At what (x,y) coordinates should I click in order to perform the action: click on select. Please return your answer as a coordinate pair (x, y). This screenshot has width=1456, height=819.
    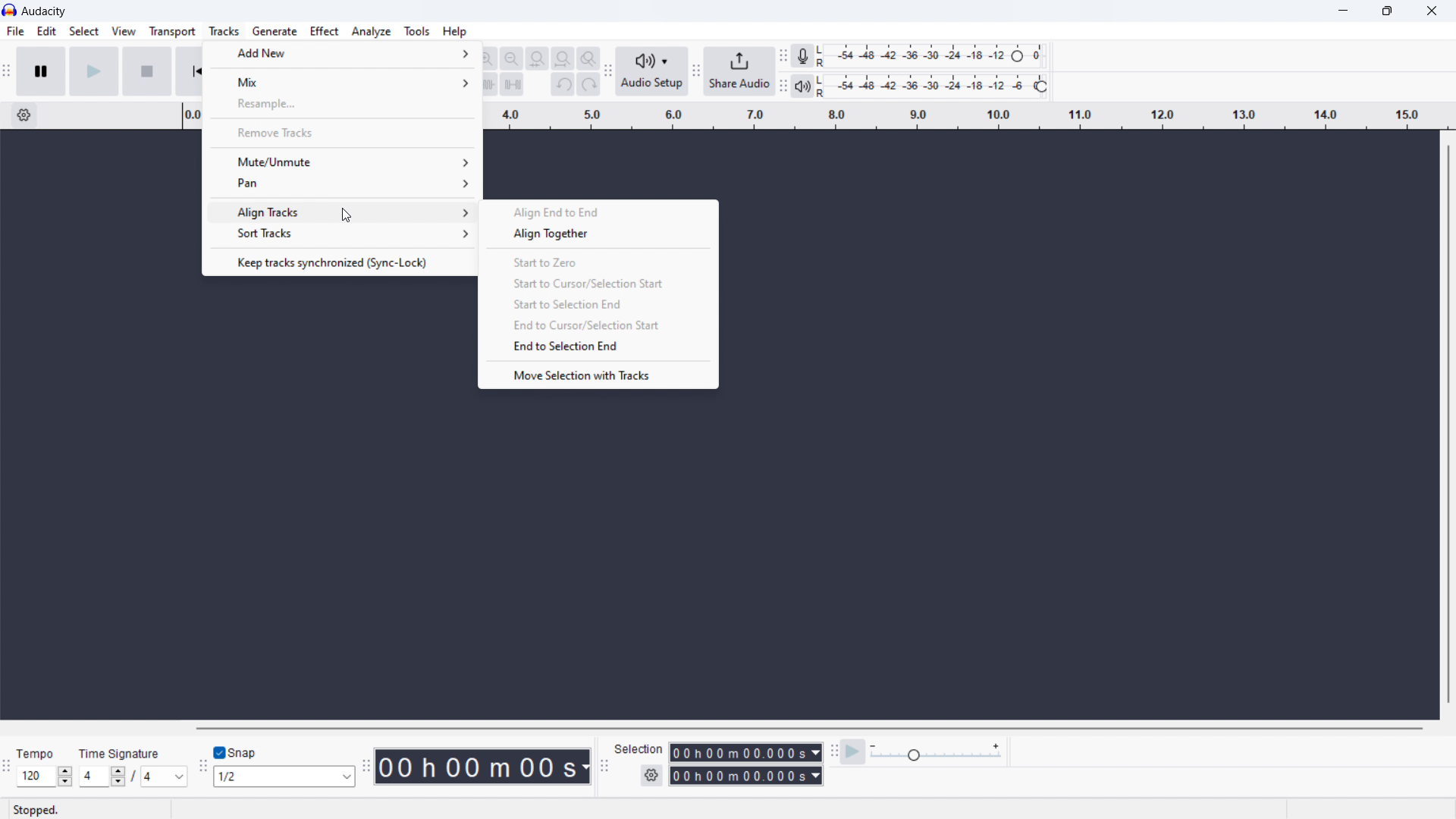
    Looking at the image, I should click on (83, 30).